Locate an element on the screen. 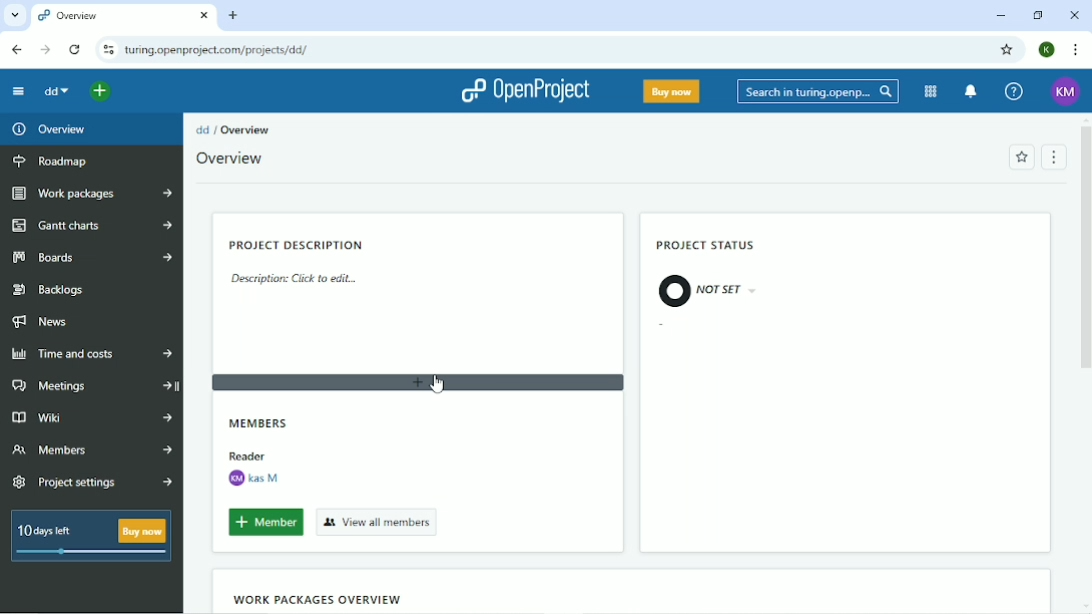 This screenshot has width=1092, height=614. Backlogs is located at coordinates (51, 290).